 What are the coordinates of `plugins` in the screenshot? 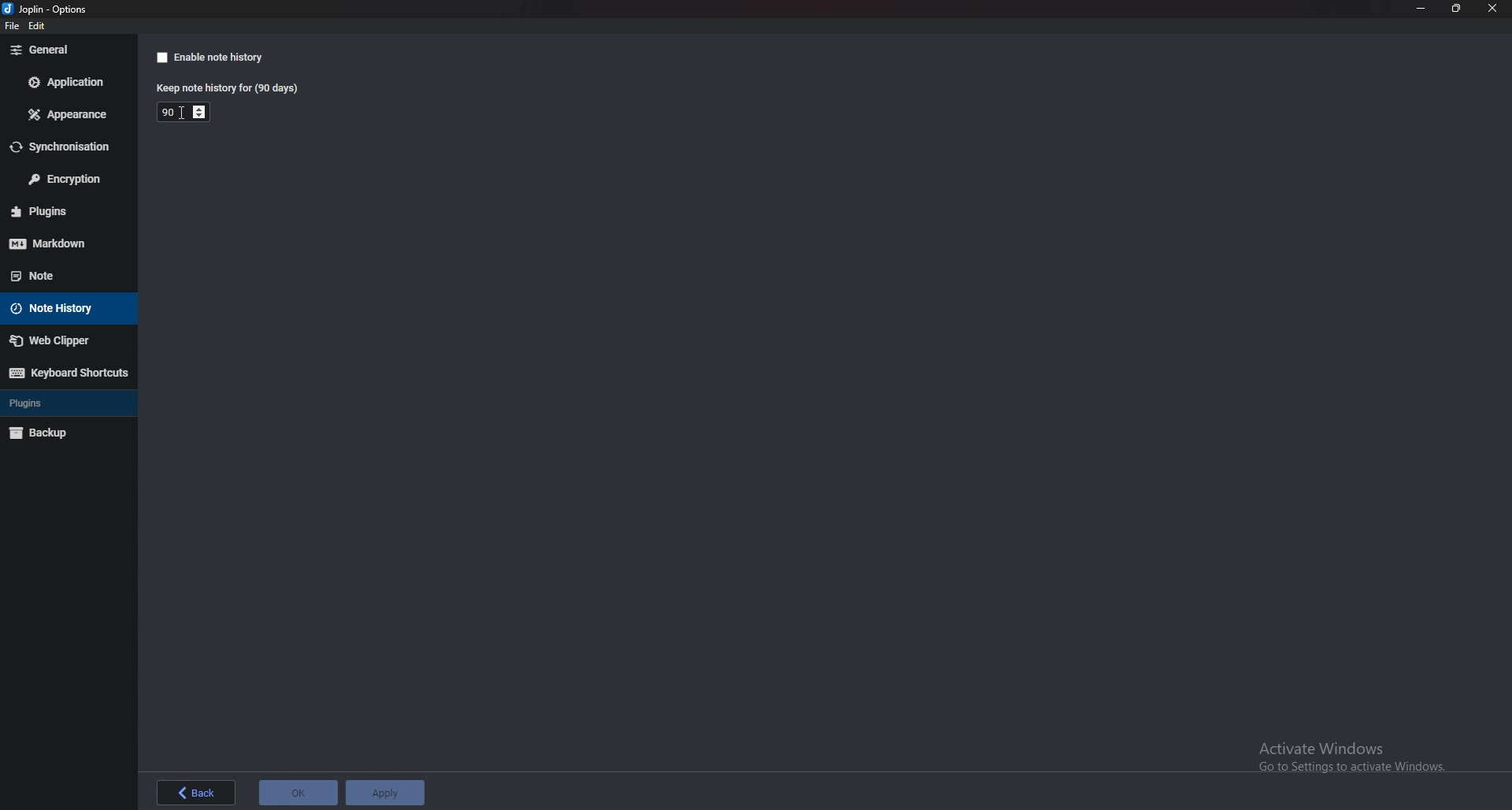 It's located at (54, 402).